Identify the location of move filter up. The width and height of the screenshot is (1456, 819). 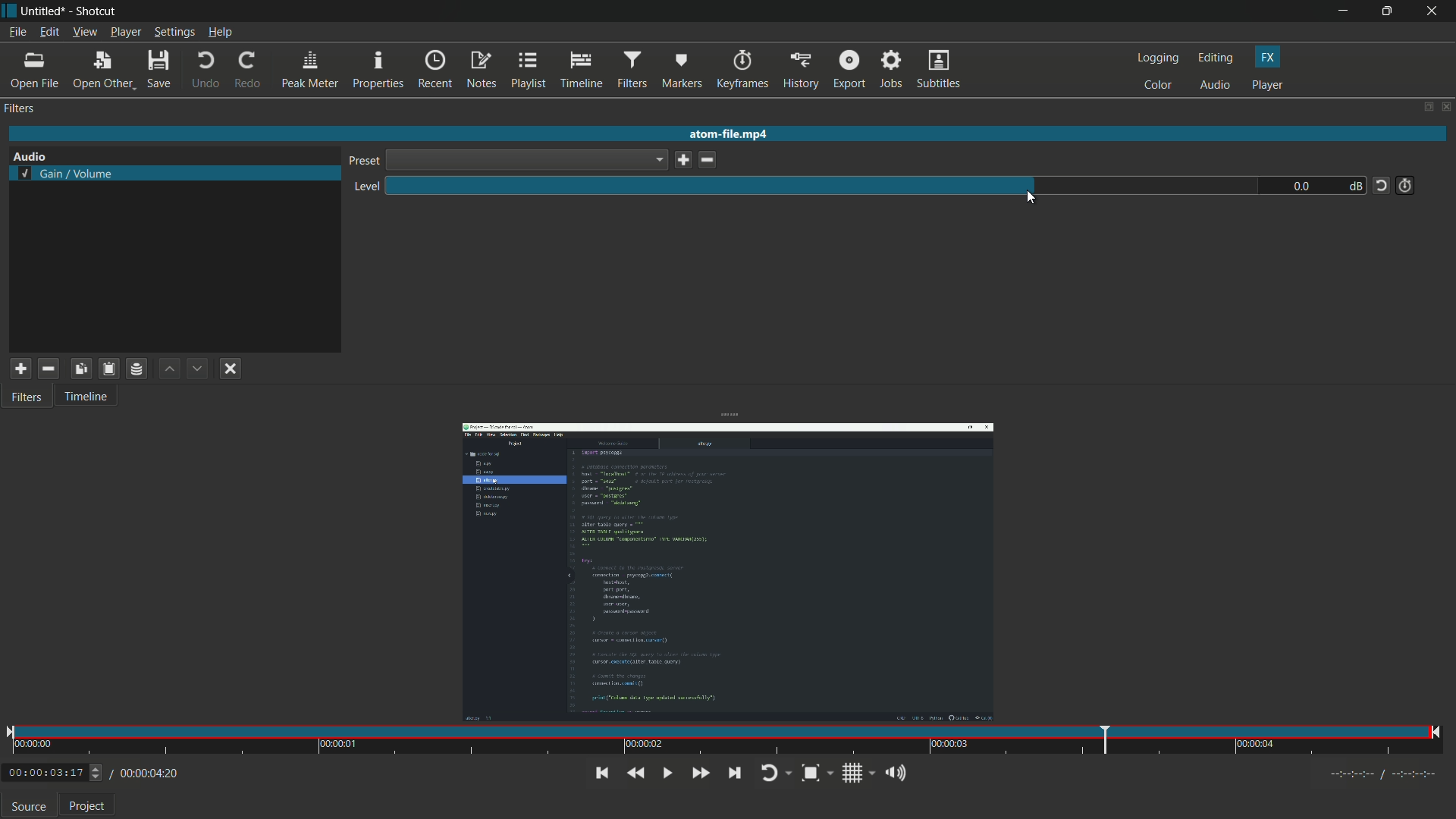
(168, 369).